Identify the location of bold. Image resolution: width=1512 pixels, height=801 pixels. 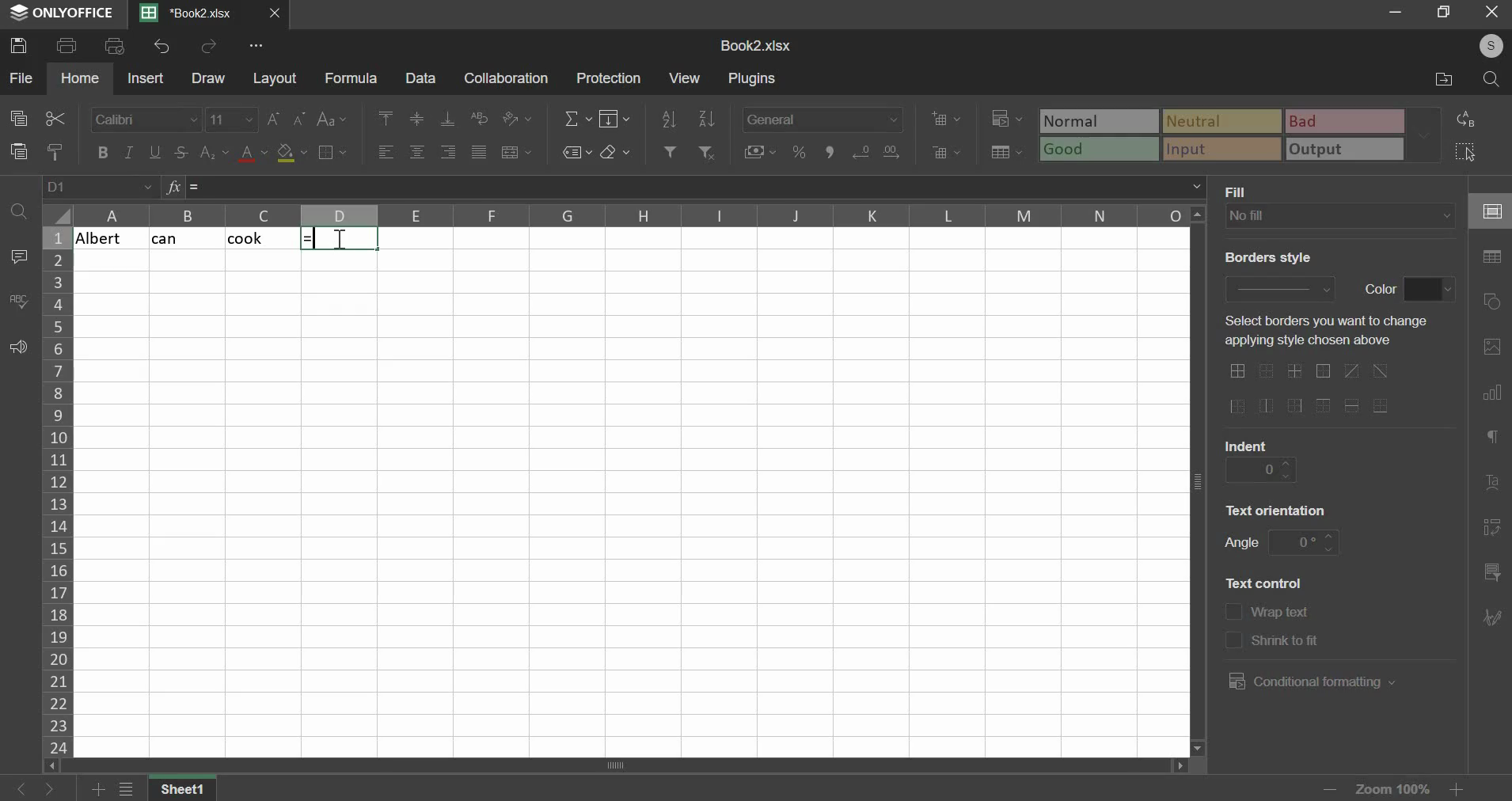
(101, 152).